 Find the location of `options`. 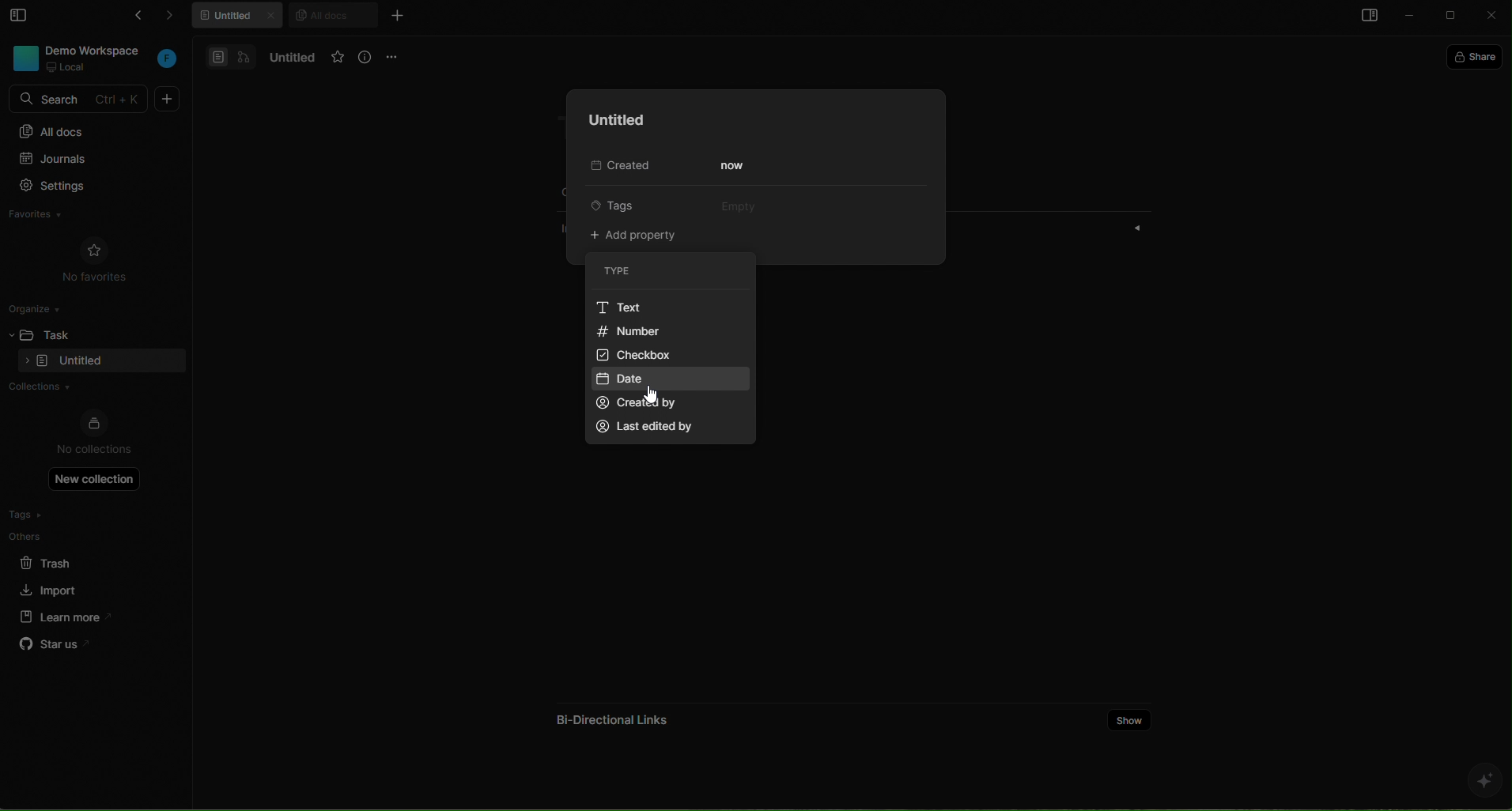

options is located at coordinates (395, 56).